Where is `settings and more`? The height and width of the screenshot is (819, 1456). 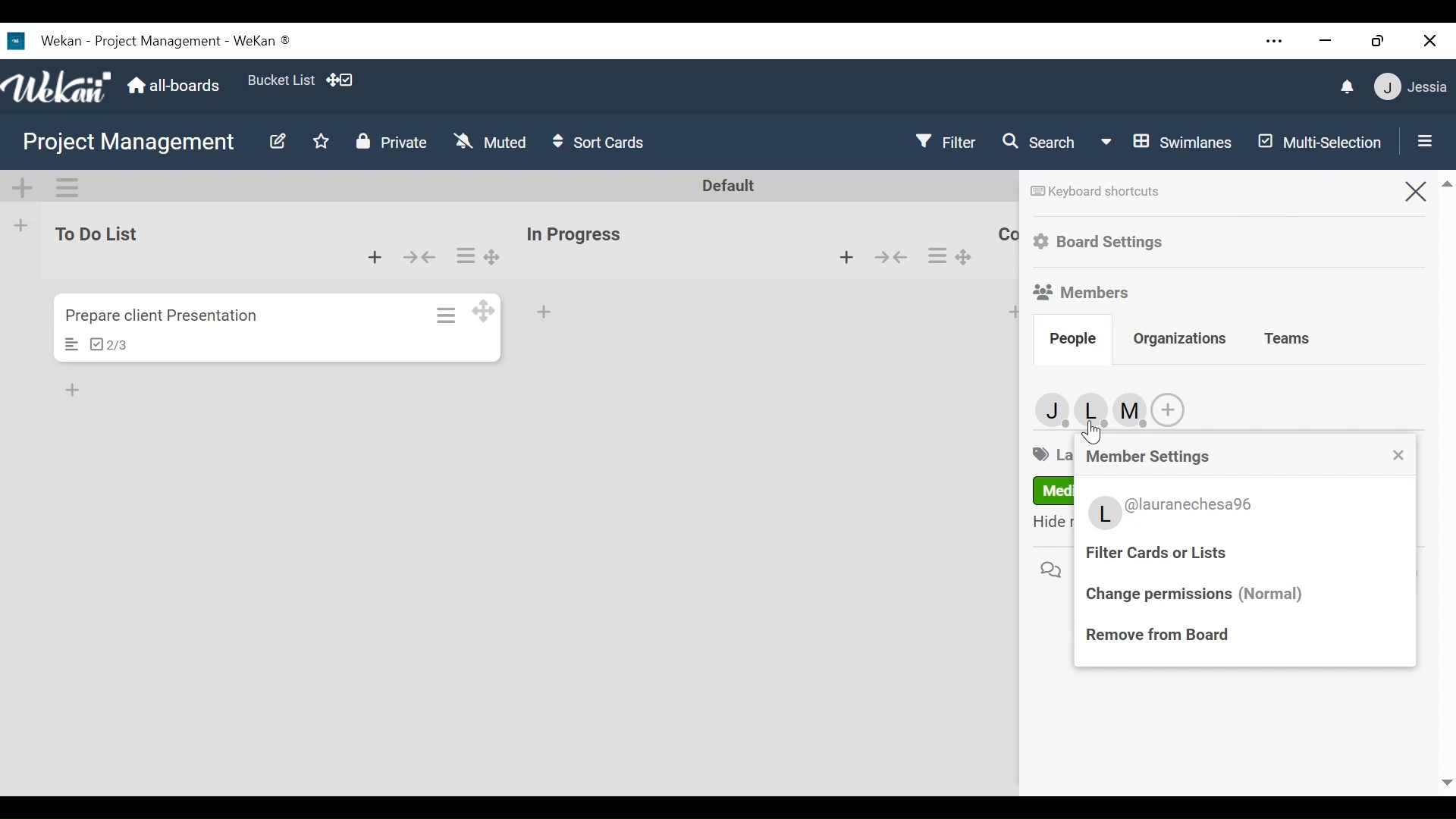
settings and more is located at coordinates (1276, 42).